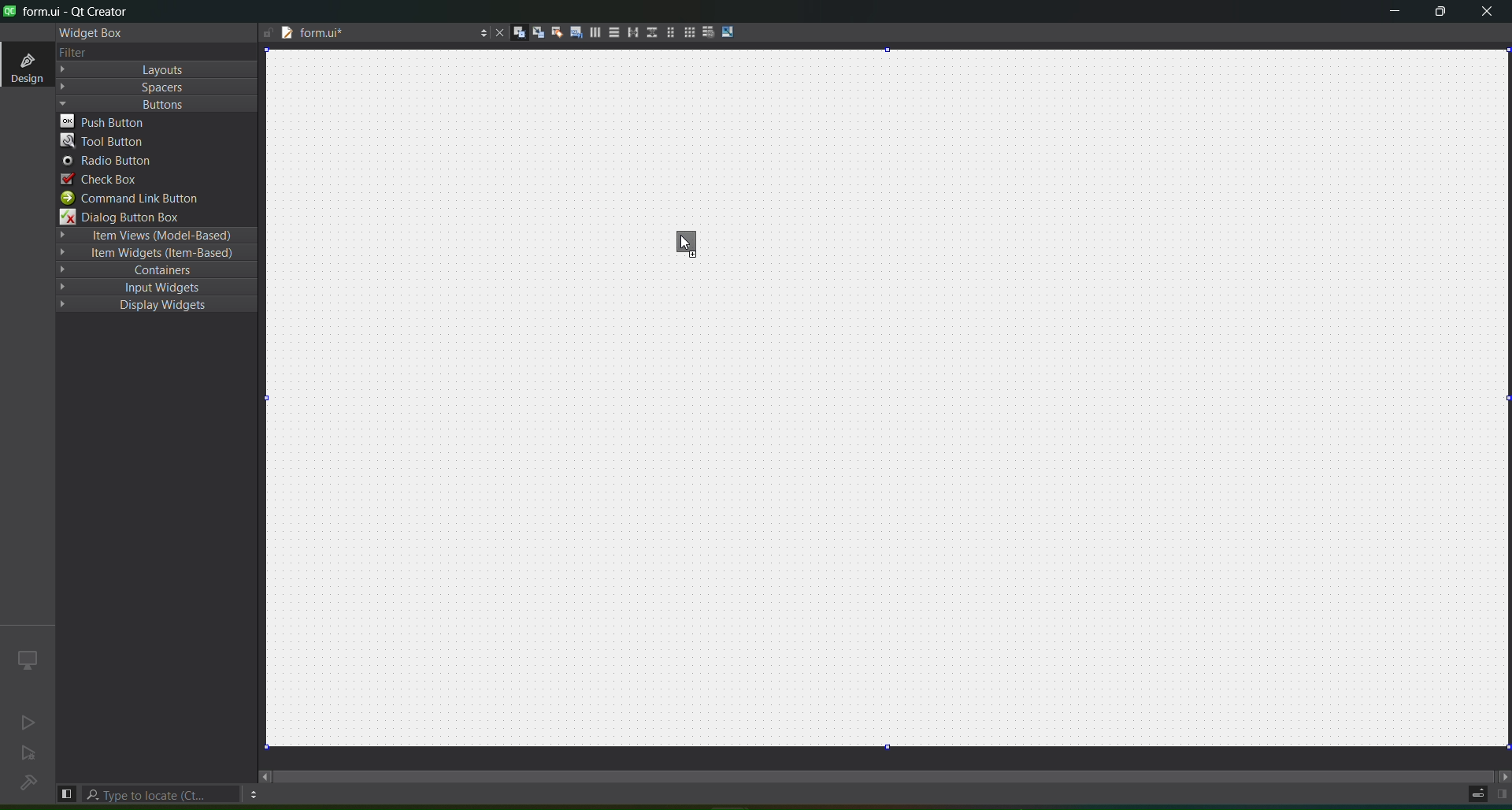 The height and width of the screenshot is (810, 1512). Describe the element at coordinates (1485, 14) in the screenshot. I see `close` at that location.